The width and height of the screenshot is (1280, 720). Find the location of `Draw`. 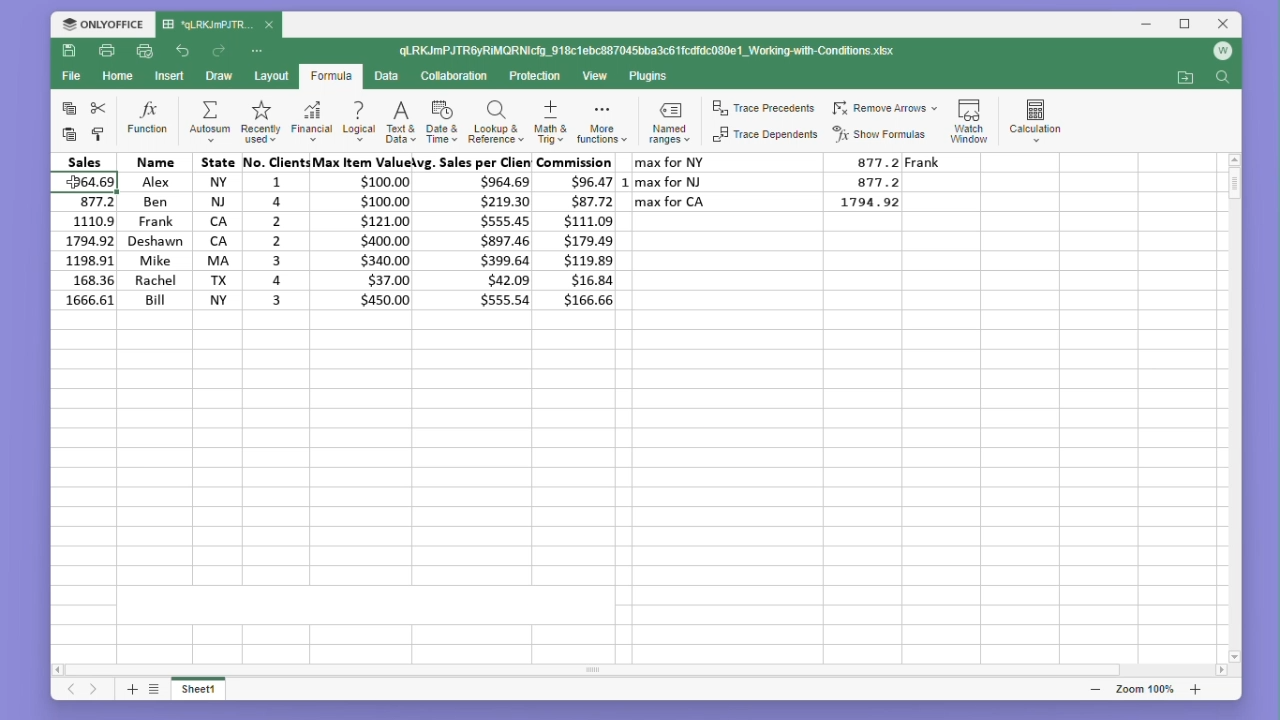

Draw is located at coordinates (218, 76).